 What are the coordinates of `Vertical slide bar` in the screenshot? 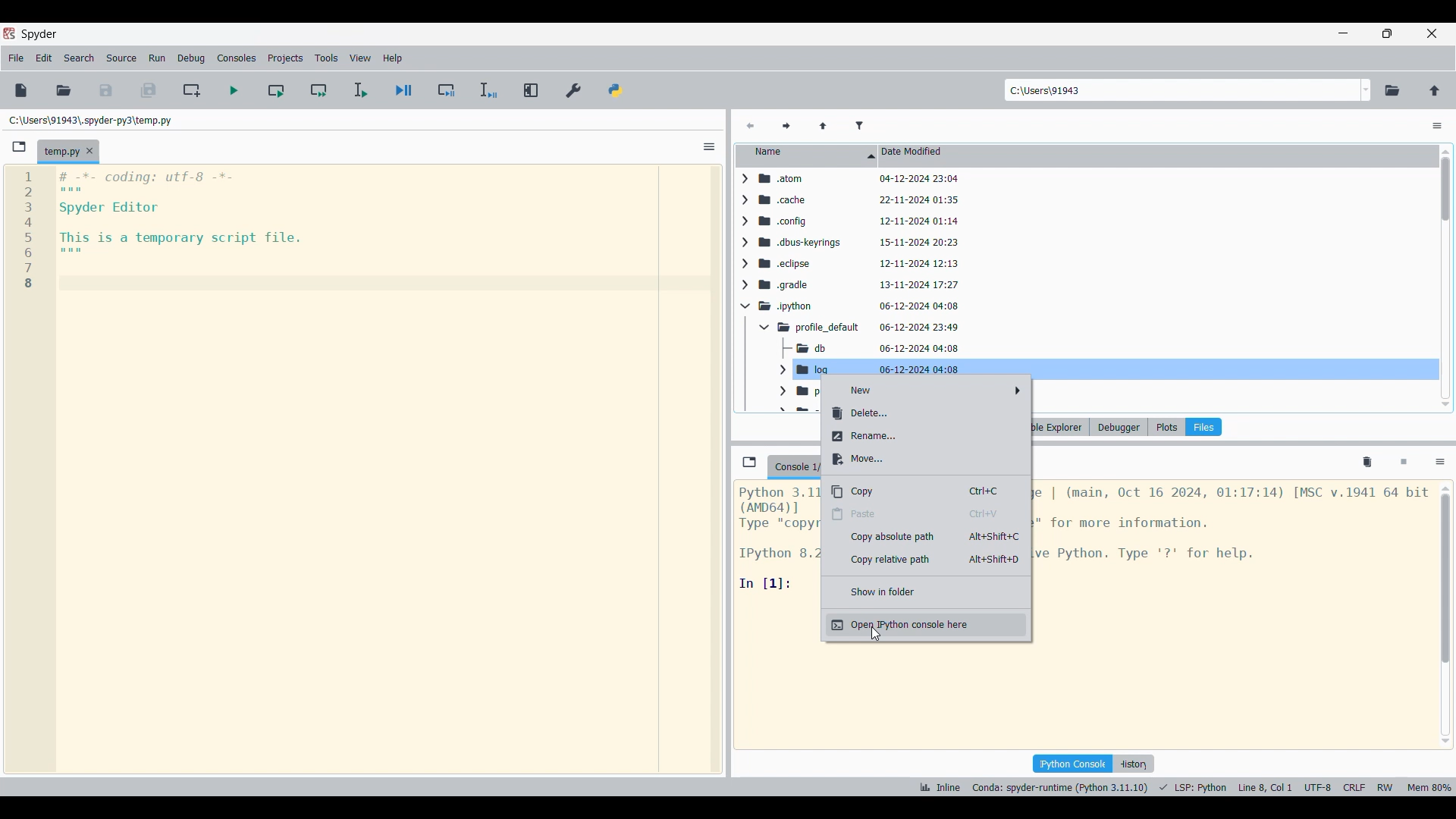 It's located at (1445, 615).